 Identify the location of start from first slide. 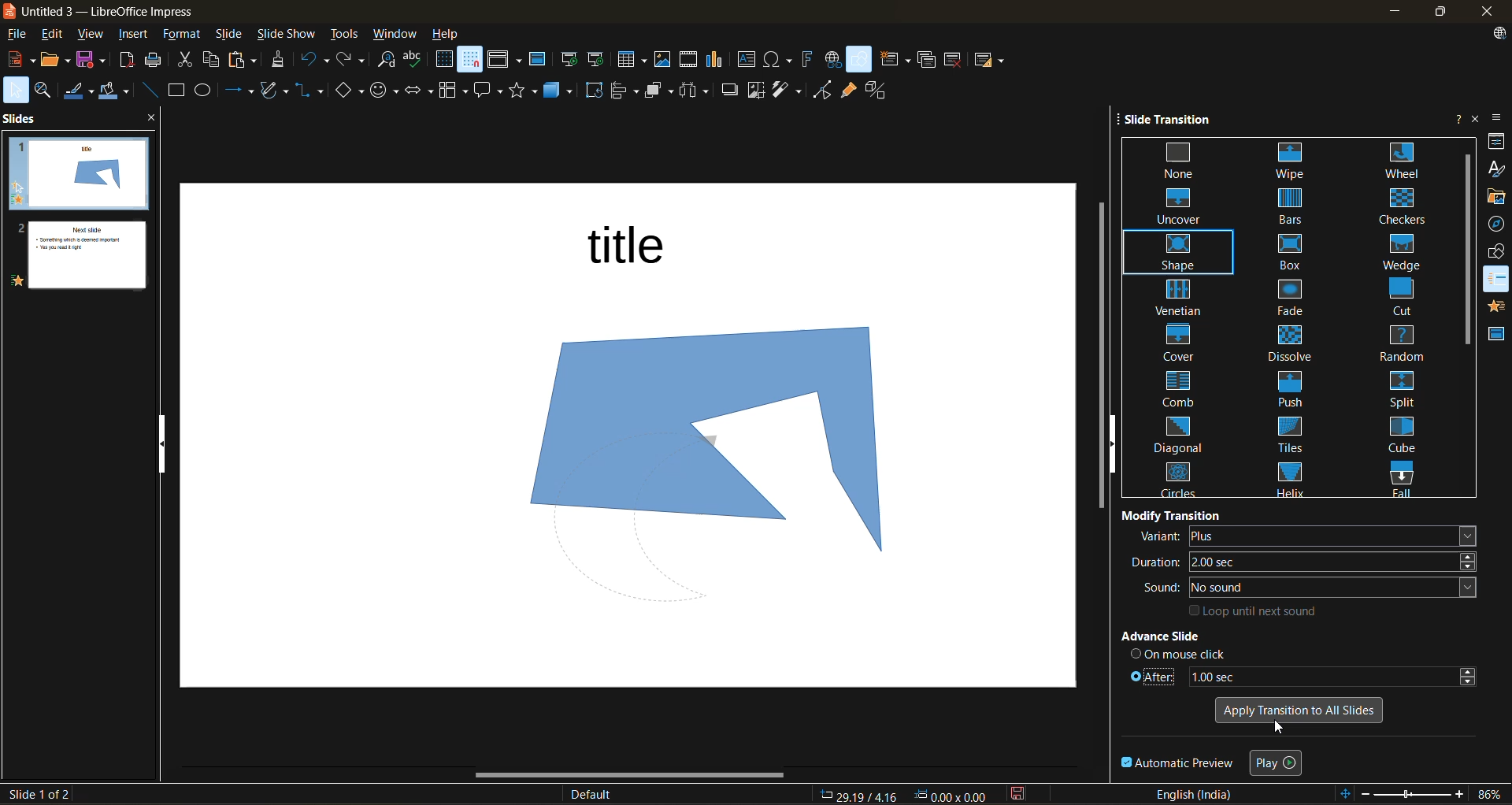
(571, 60).